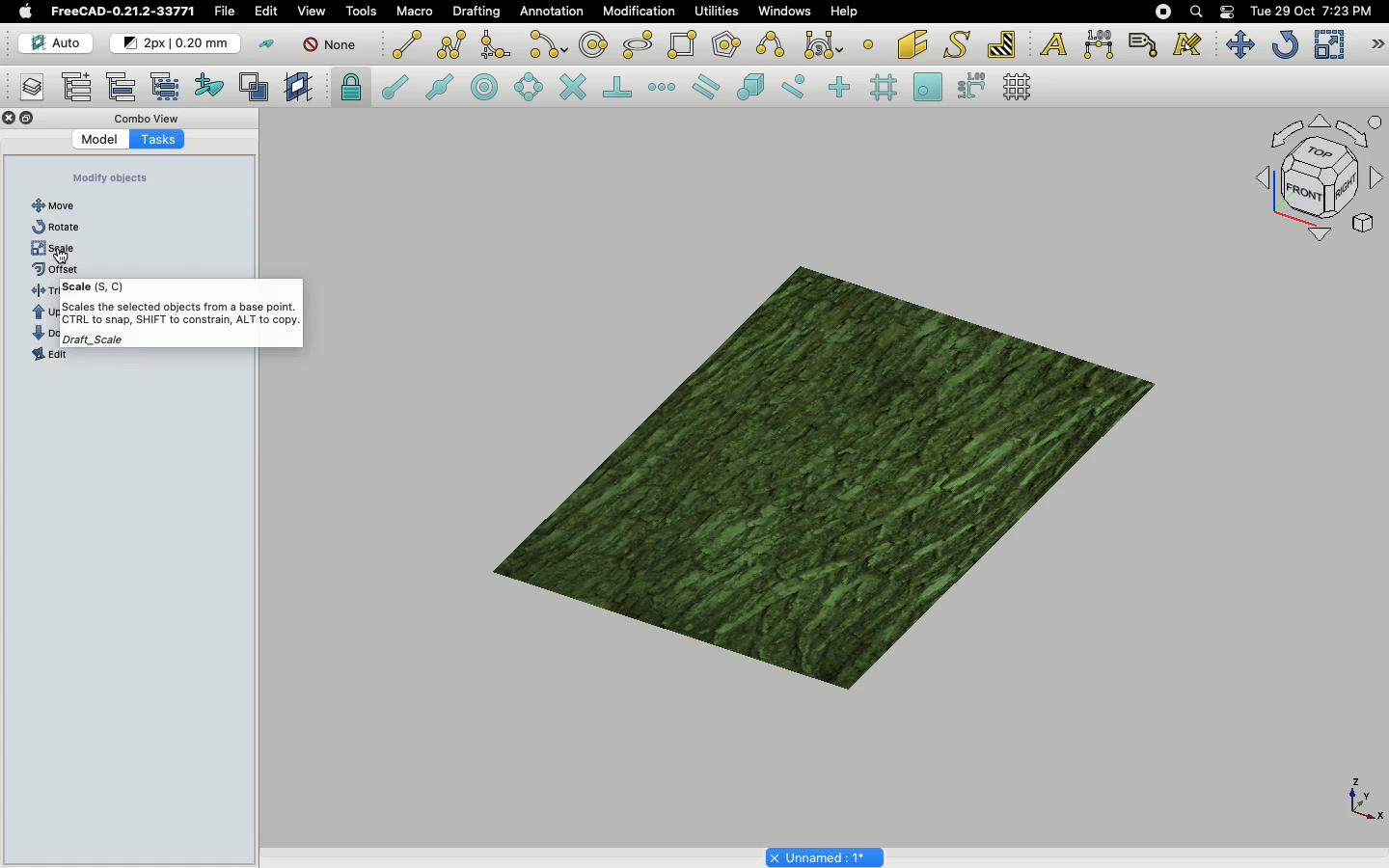 The height and width of the screenshot is (868, 1389). I want to click on Bezier tools, so click(826, 44).